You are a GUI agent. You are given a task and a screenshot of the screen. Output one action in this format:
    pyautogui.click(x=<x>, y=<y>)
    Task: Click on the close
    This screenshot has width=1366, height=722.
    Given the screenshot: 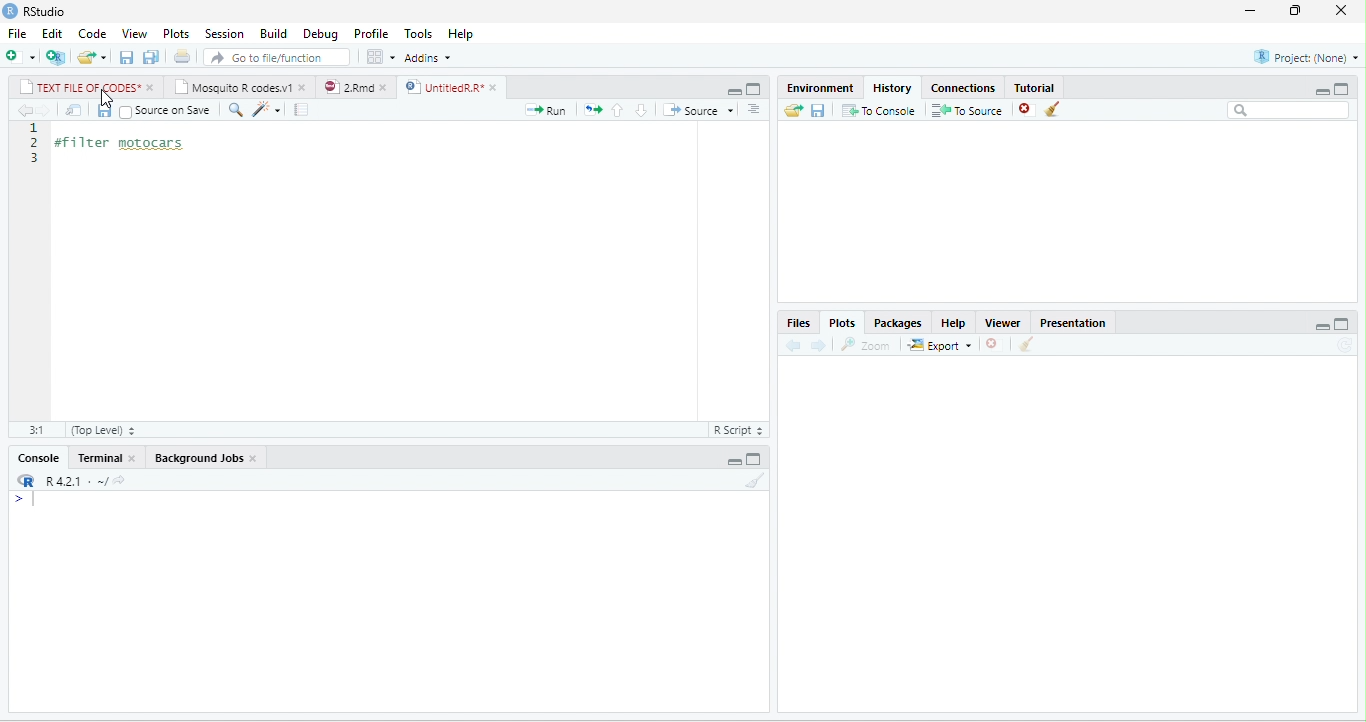 What is the action you would take?
    pyautogui.click(x=1341, y=10)
    